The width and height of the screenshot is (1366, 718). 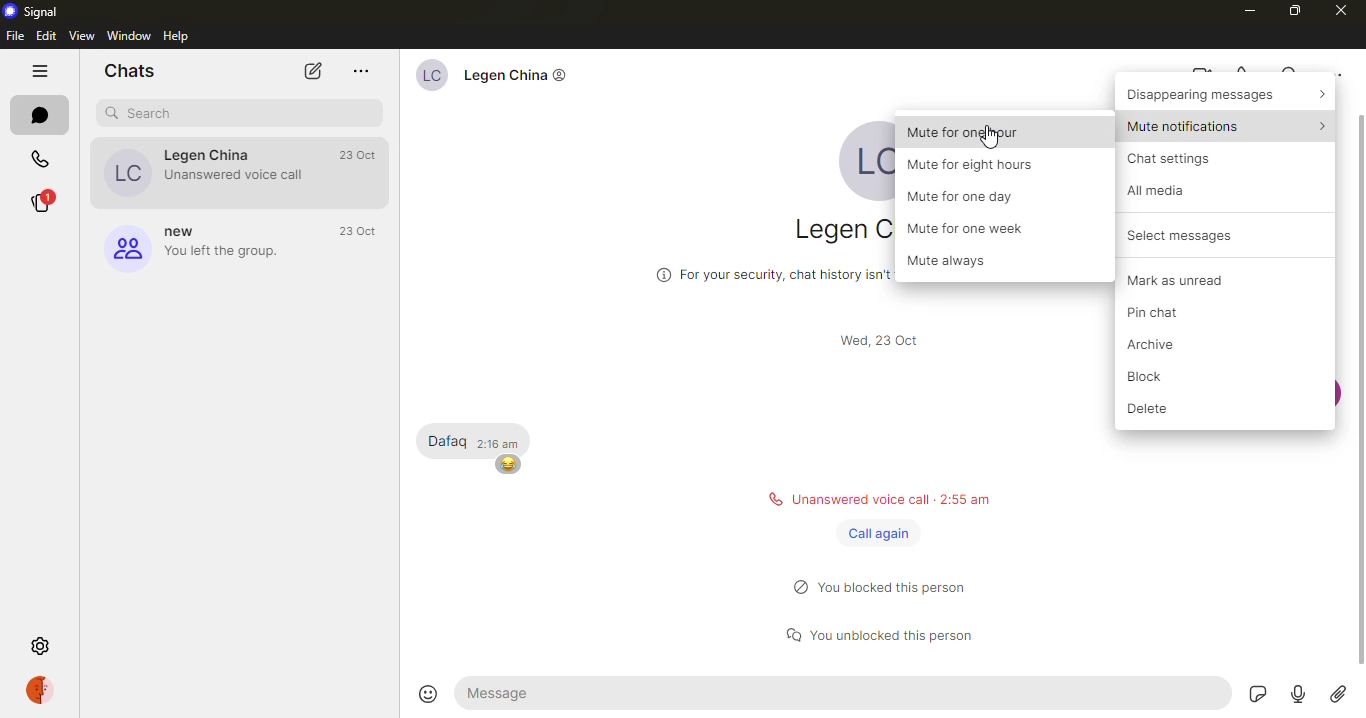 I want to click on profile, so click(x=46, y=689).